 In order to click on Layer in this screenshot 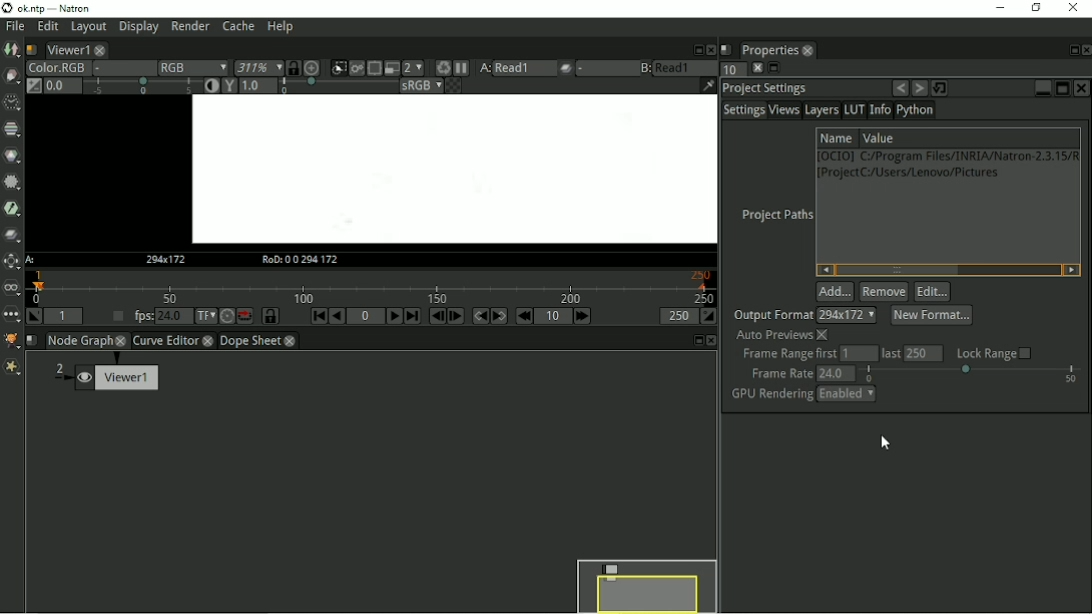, I will do `click(55, 68)`.